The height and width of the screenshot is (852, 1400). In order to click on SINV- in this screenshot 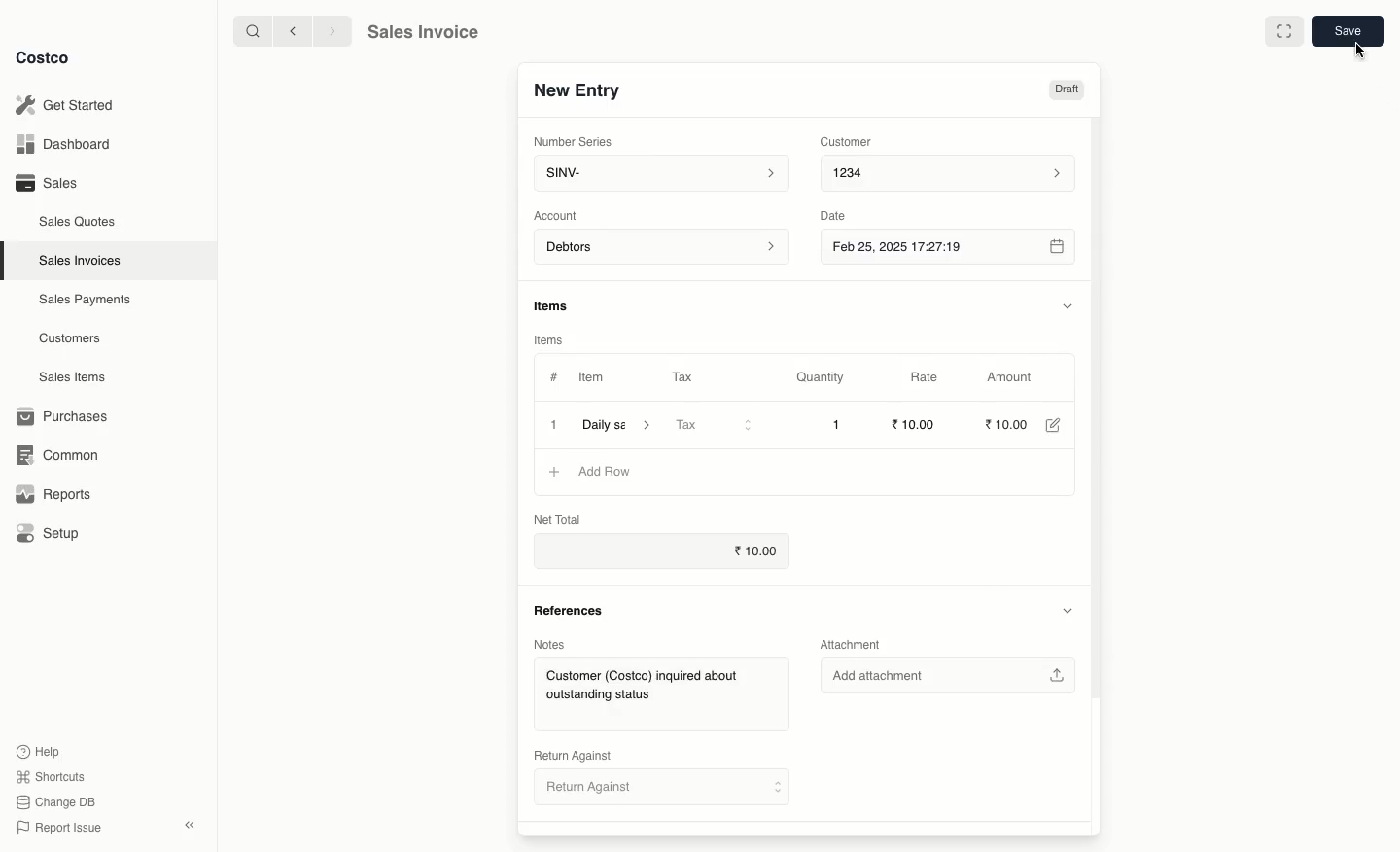, I will do `click(663, 174)`.